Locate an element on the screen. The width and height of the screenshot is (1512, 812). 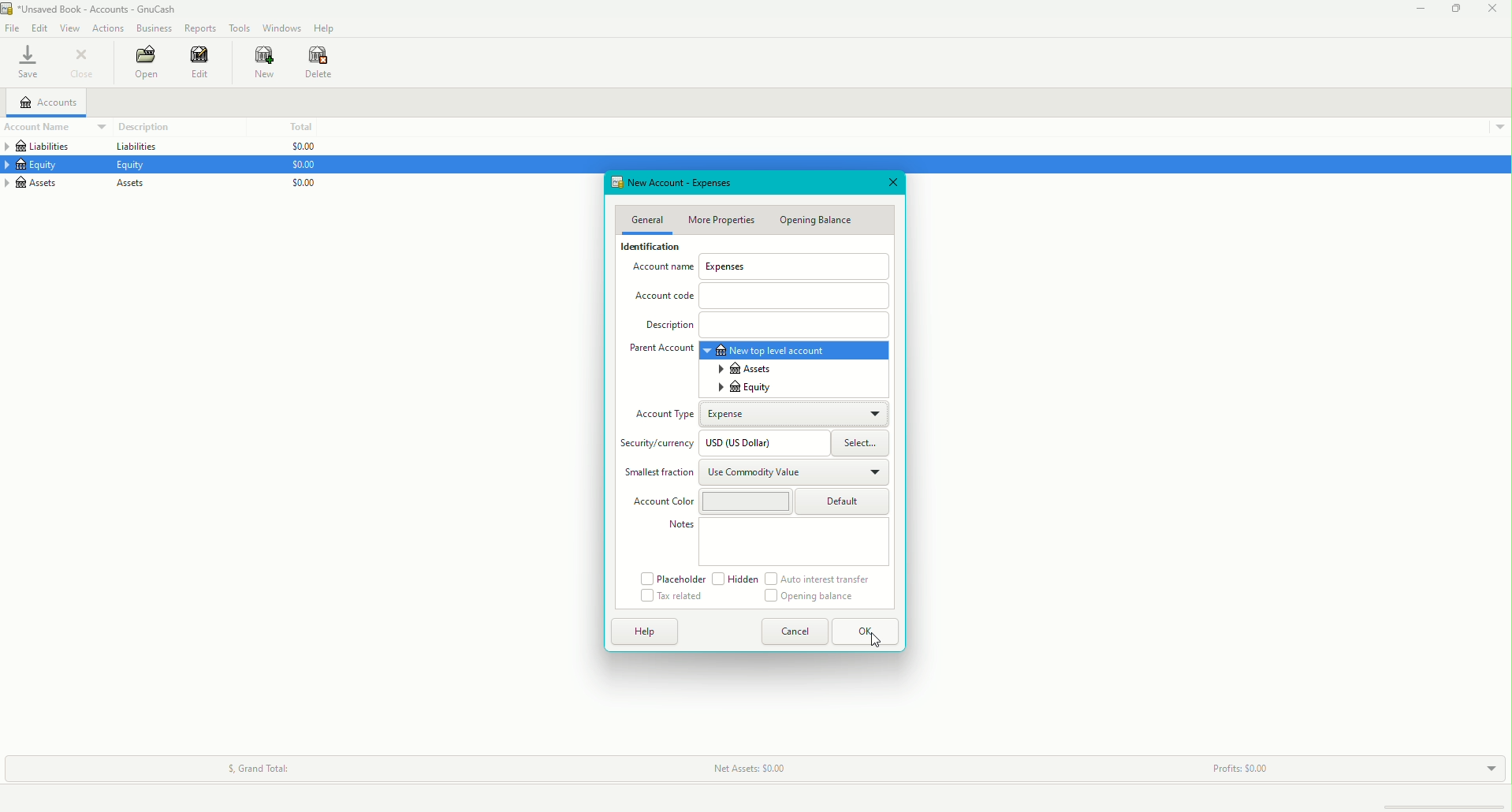
Equity is located at coordinates (793, 413).